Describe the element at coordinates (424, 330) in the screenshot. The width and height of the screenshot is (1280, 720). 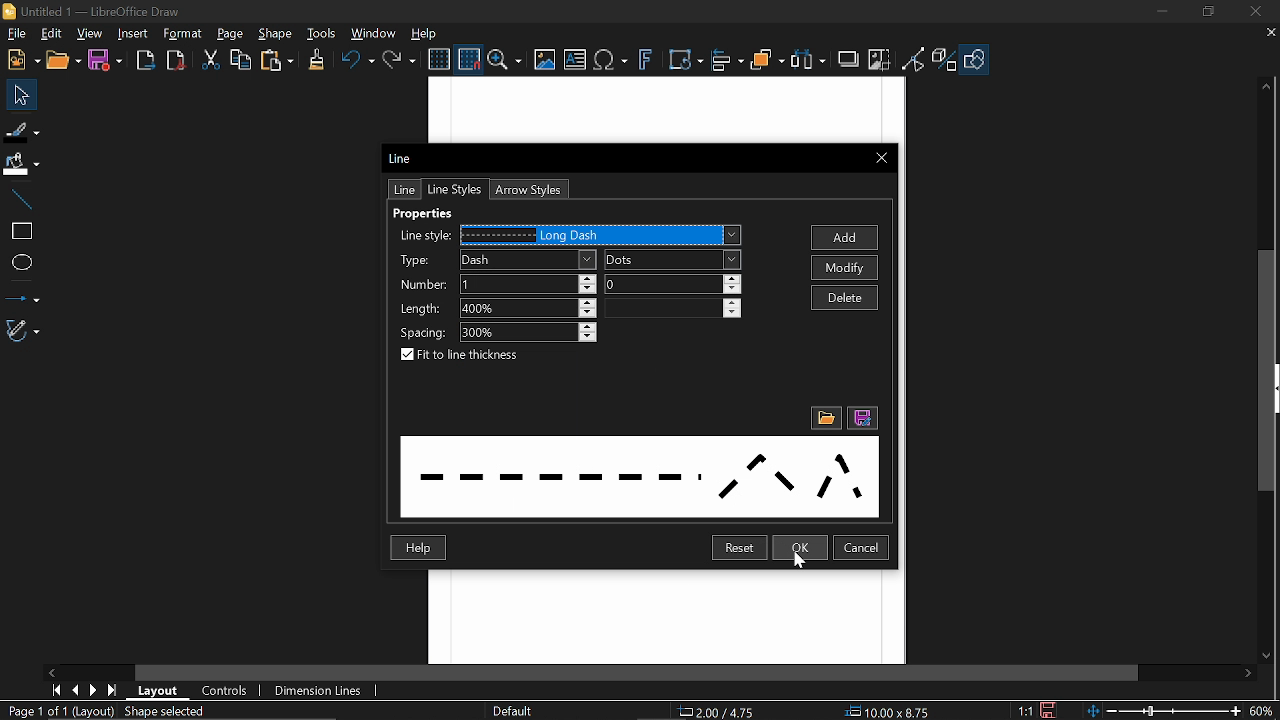
I see `Spacing:` at that location.